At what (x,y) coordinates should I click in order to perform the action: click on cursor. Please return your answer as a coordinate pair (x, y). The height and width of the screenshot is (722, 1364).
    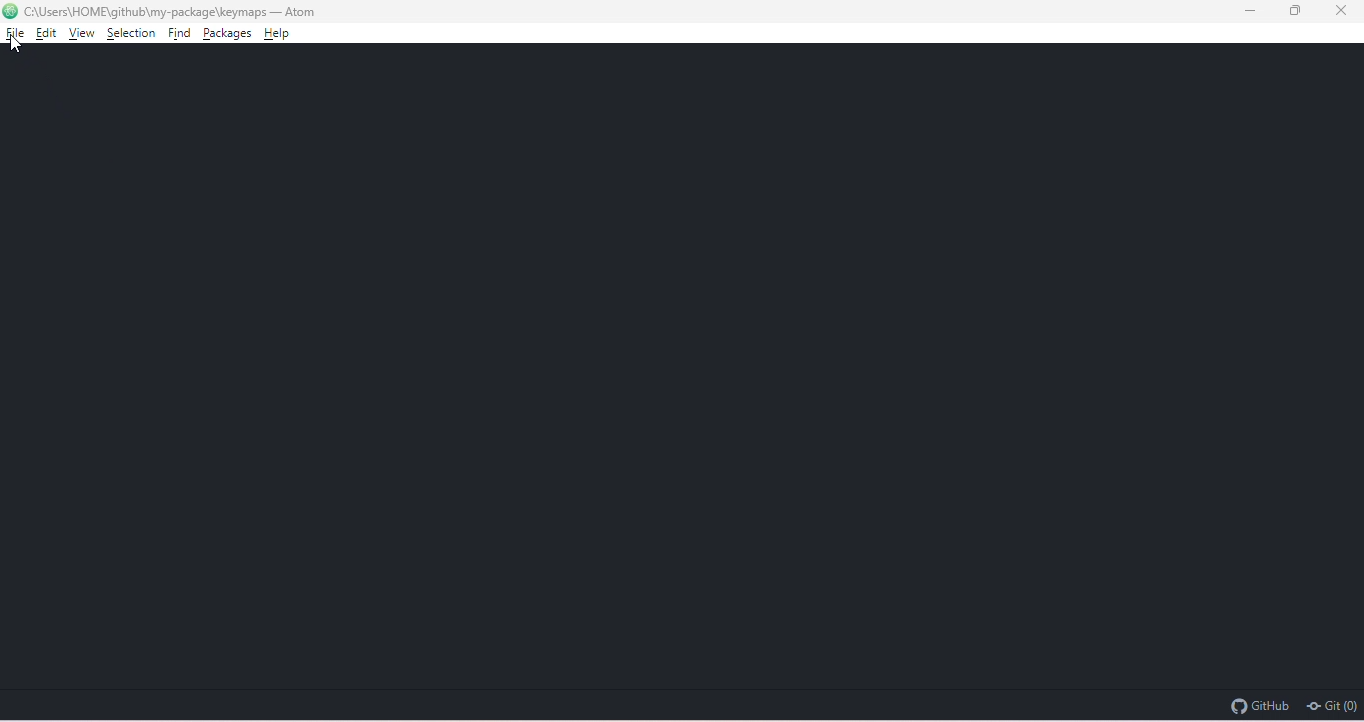
    Looking at the image, I should click on (17, 44).